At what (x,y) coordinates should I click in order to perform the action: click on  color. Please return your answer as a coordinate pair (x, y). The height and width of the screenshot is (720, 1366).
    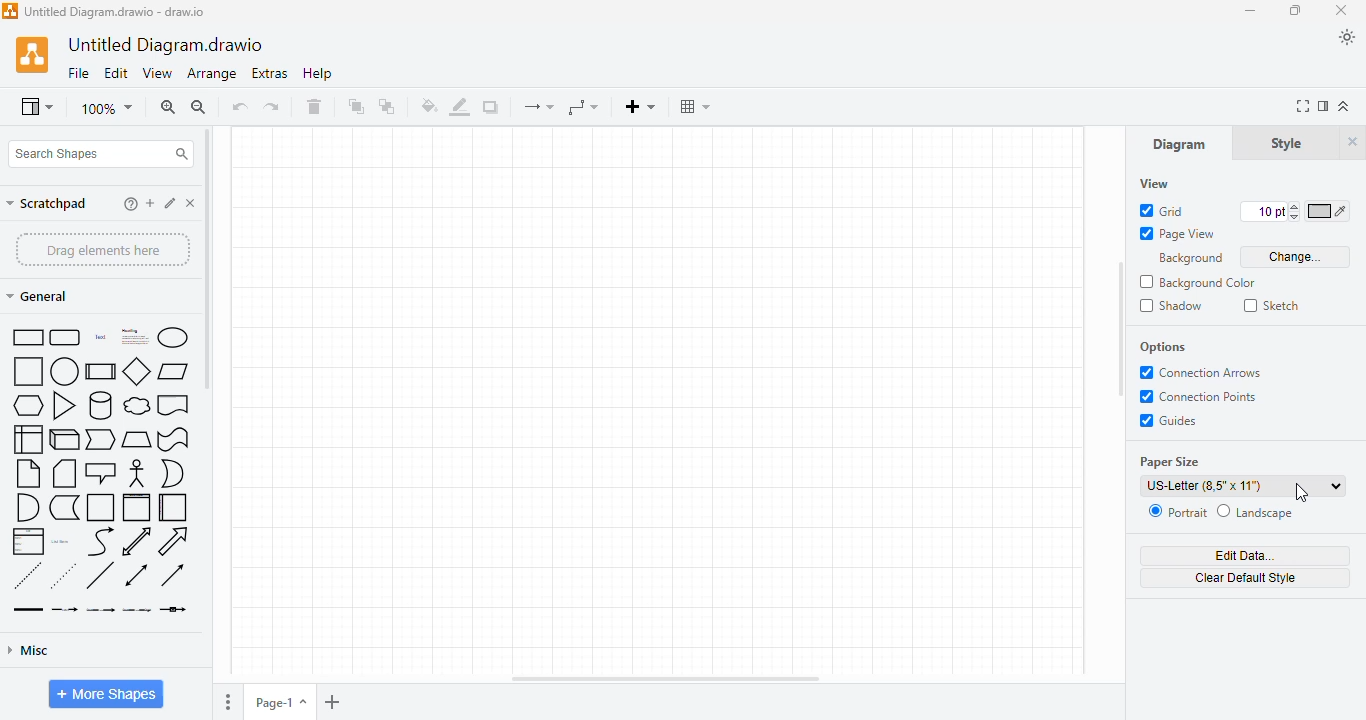
    Looking at the image, I should click on (1328, 211).